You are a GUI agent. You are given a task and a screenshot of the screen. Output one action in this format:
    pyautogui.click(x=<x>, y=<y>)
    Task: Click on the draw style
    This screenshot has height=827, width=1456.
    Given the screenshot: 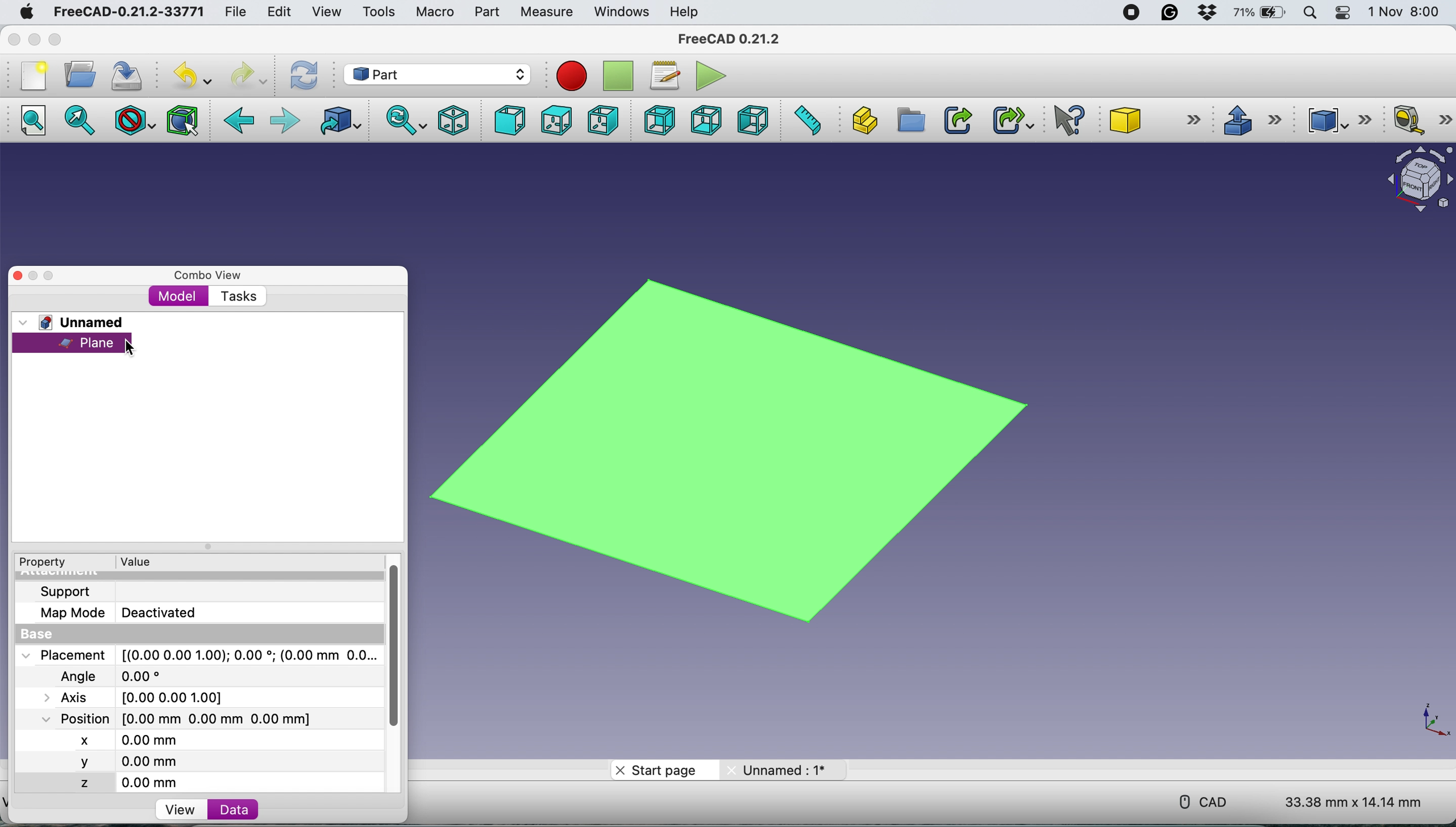 What is the action you would take?
    pyautogui.click(x=133, y=121)
    